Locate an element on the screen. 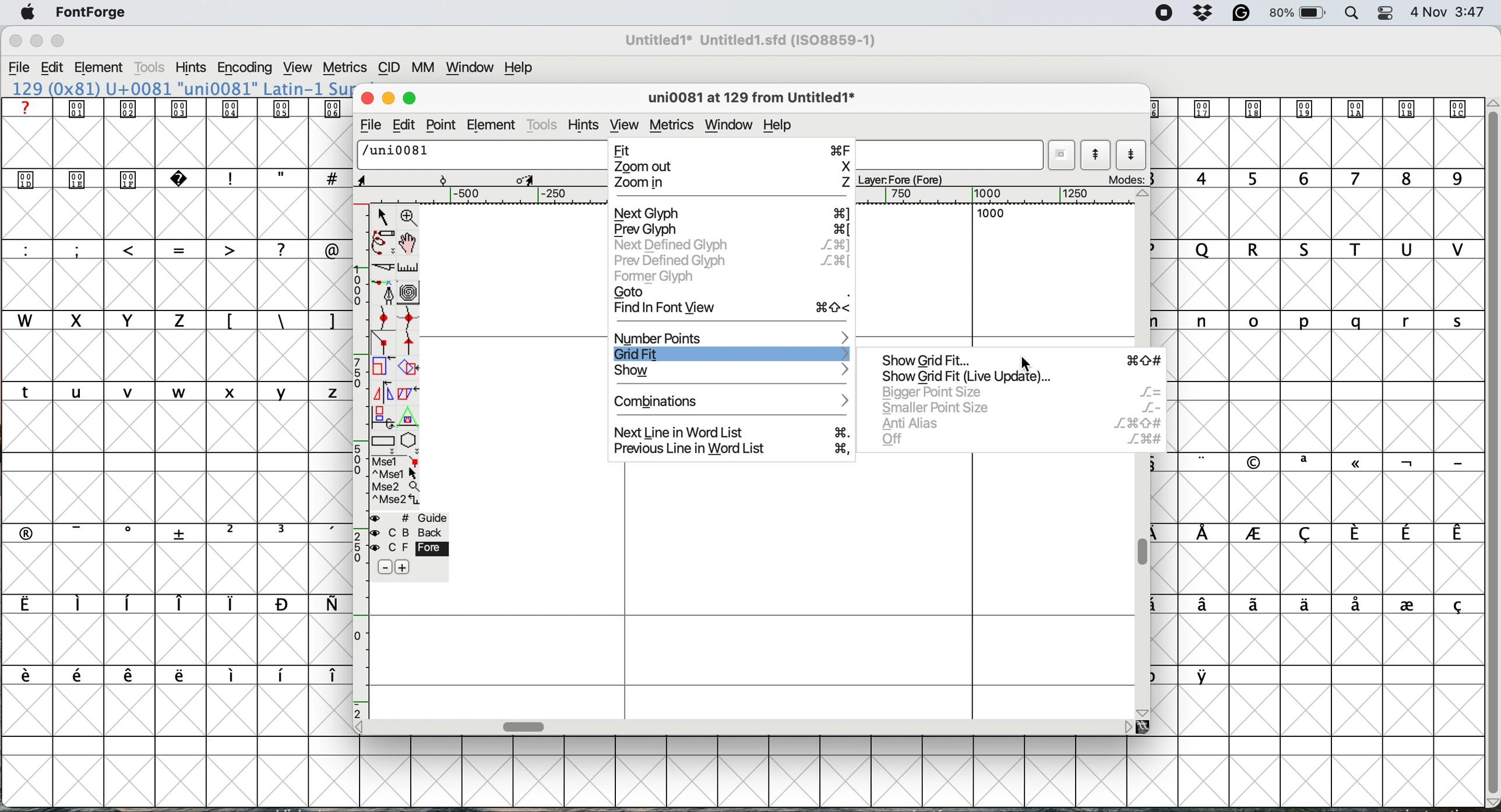 The image size is (1501, 812). Metrics is located at coordinates (344, 69).